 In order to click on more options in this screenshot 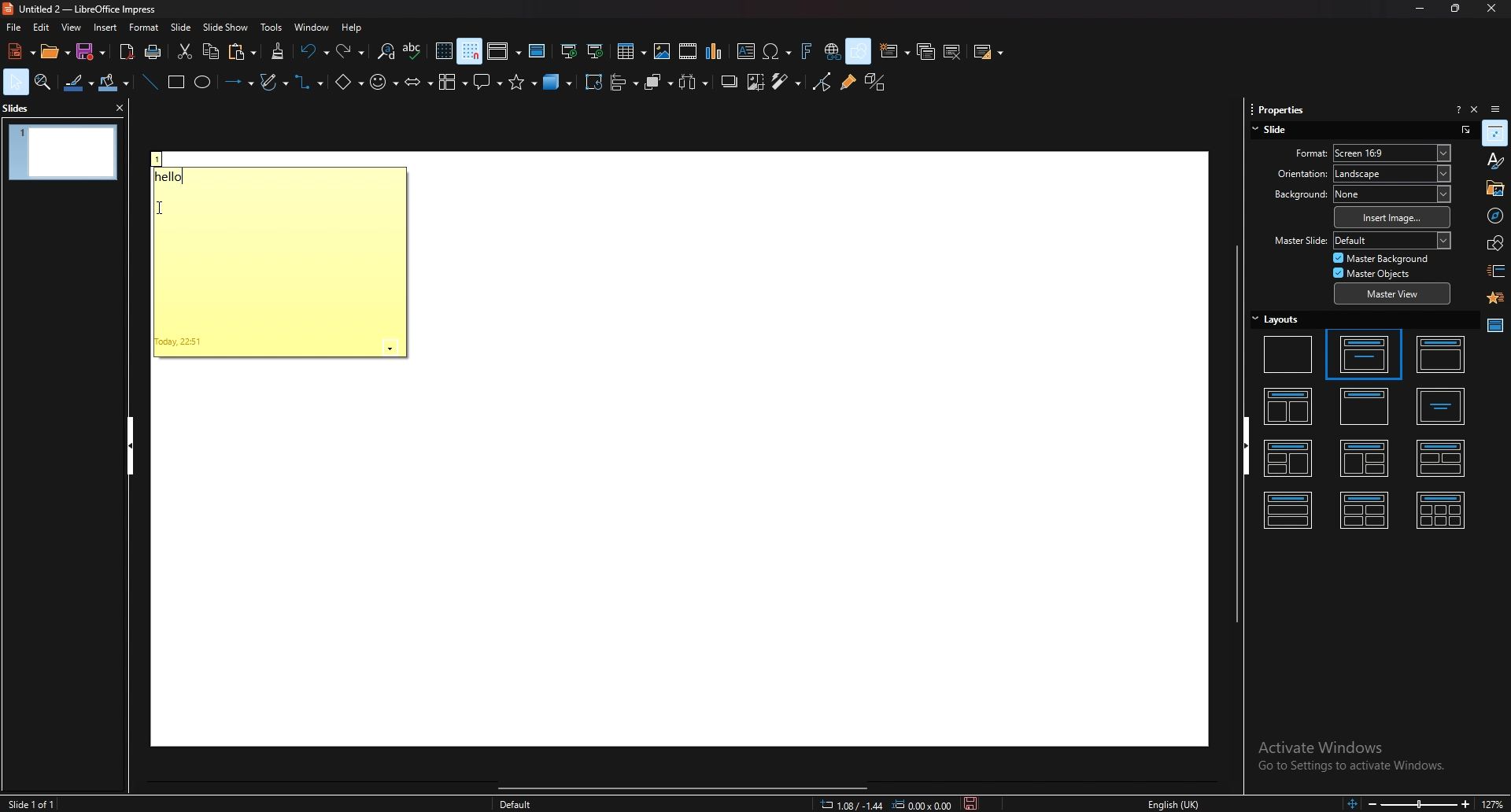, I will do `click(1465, 129)`.